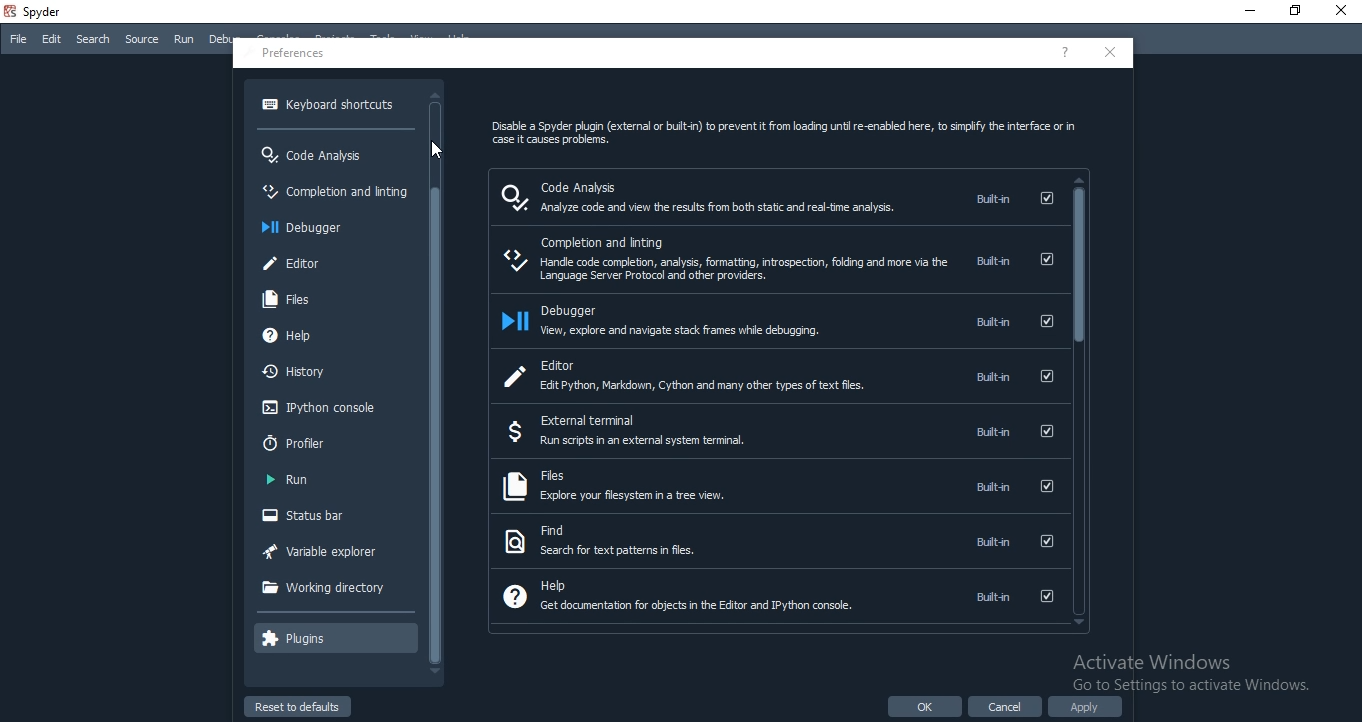 Image resolution: width=1362 pixels, height=722 pixels. What do you see at coordinates (539, 478) in the screenshot?
I see `Files` at bounding box center [539, 478].